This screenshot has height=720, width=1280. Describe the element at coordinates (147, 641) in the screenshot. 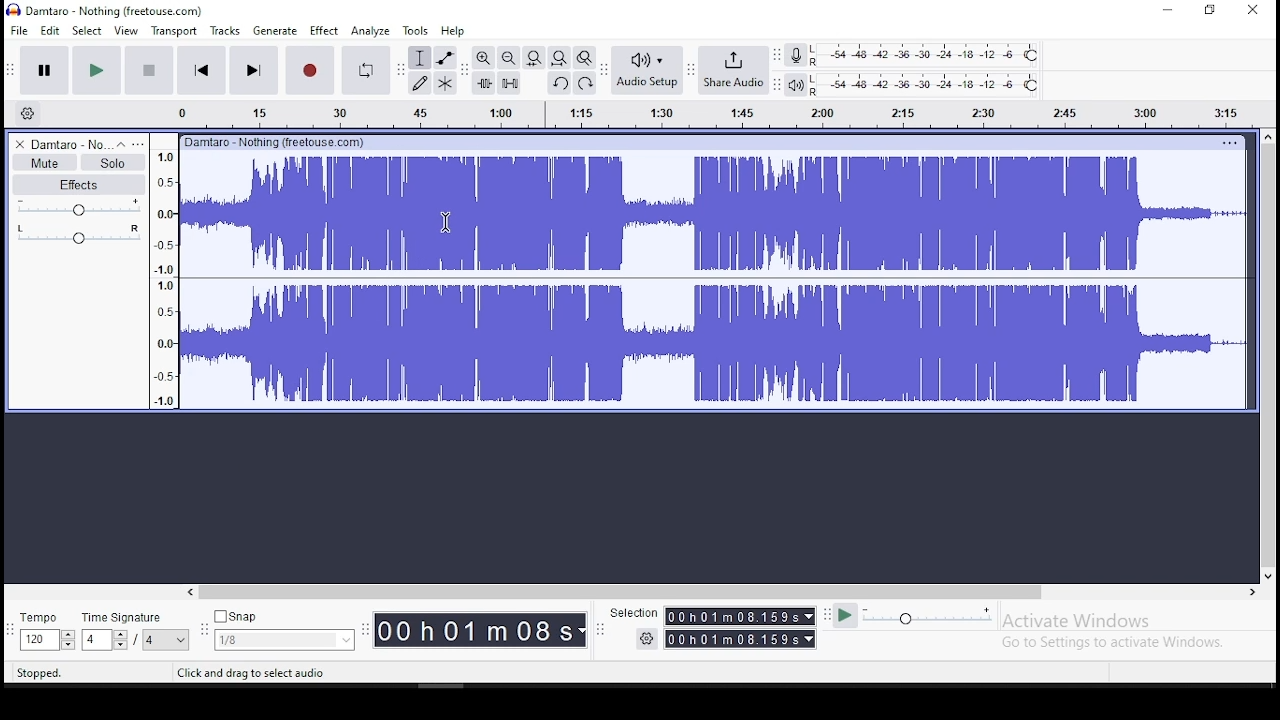

I see `/4` at that location.